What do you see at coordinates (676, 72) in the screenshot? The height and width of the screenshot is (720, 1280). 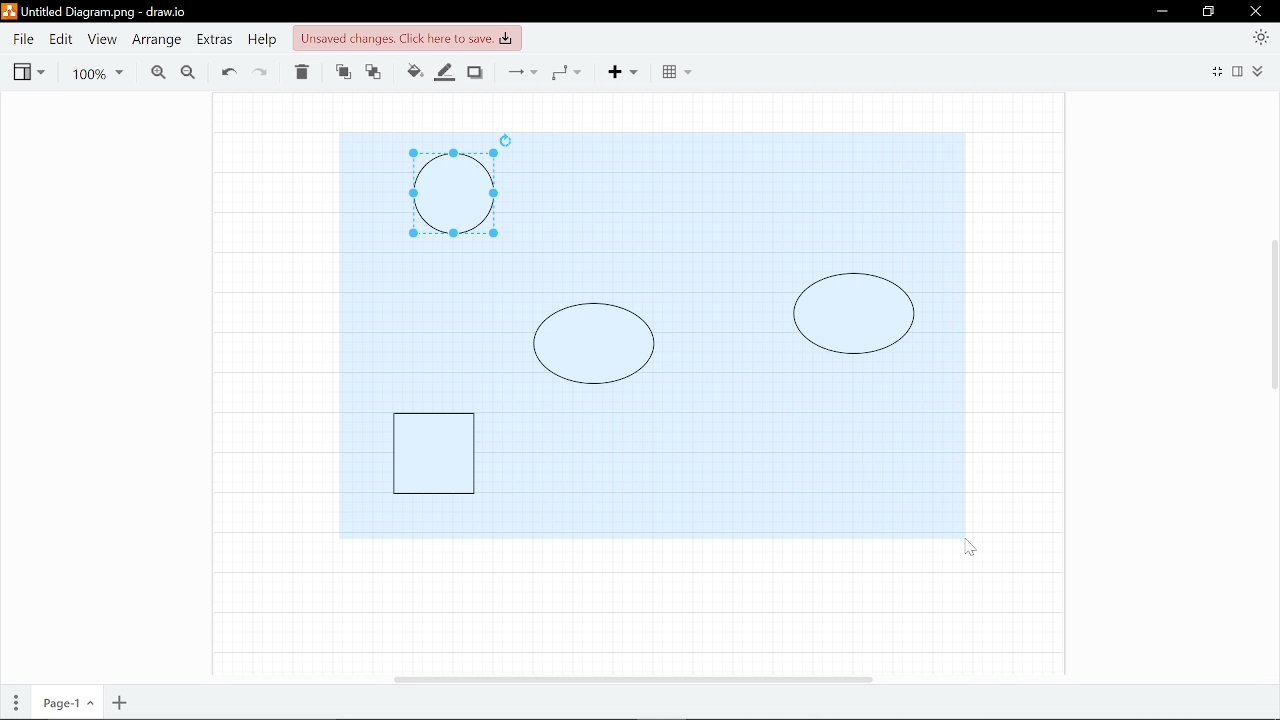 I see `Table` at bounding box center [676, 72].